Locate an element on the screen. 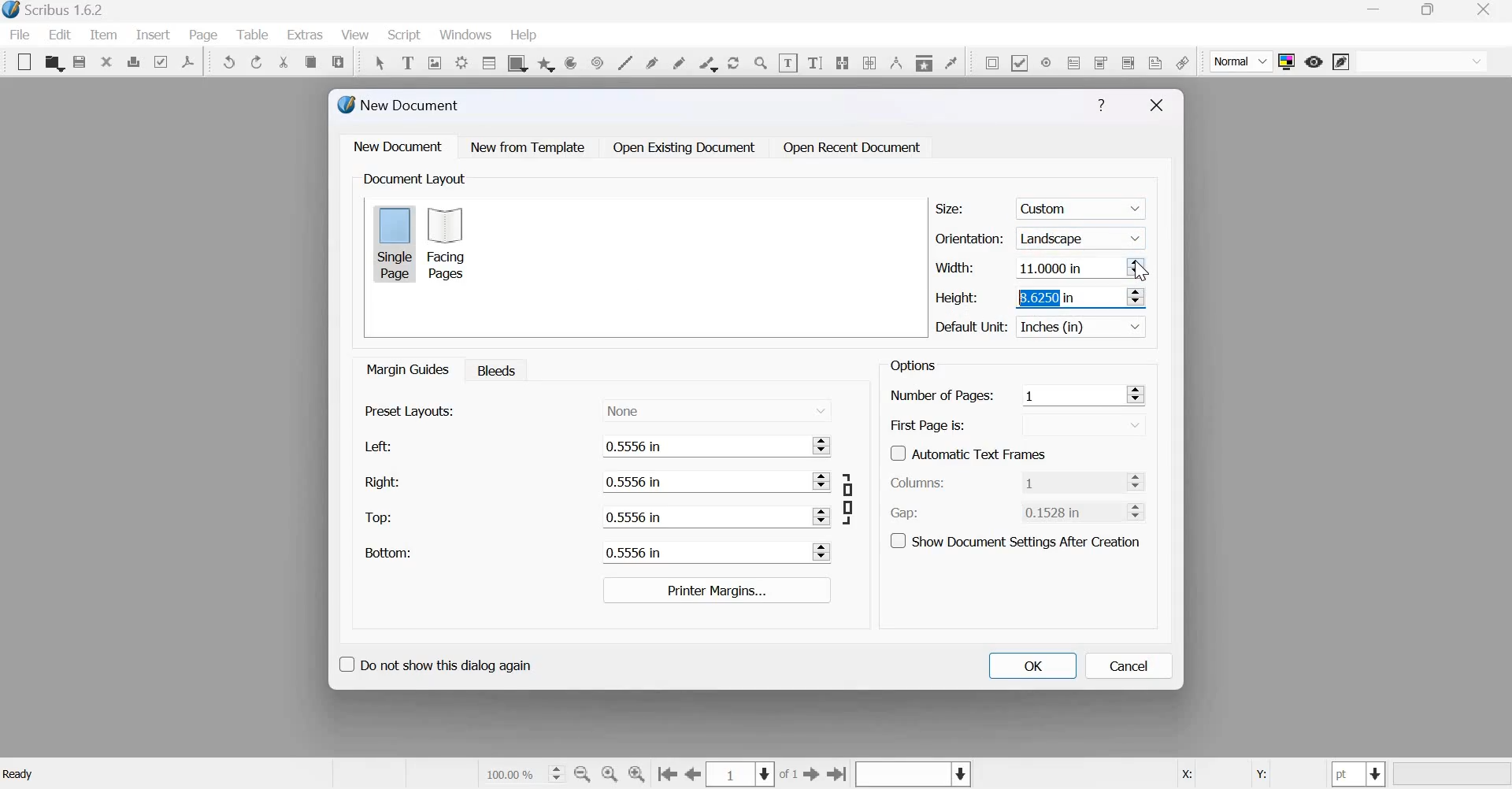  cursor is located at coordinates (1140, 271).